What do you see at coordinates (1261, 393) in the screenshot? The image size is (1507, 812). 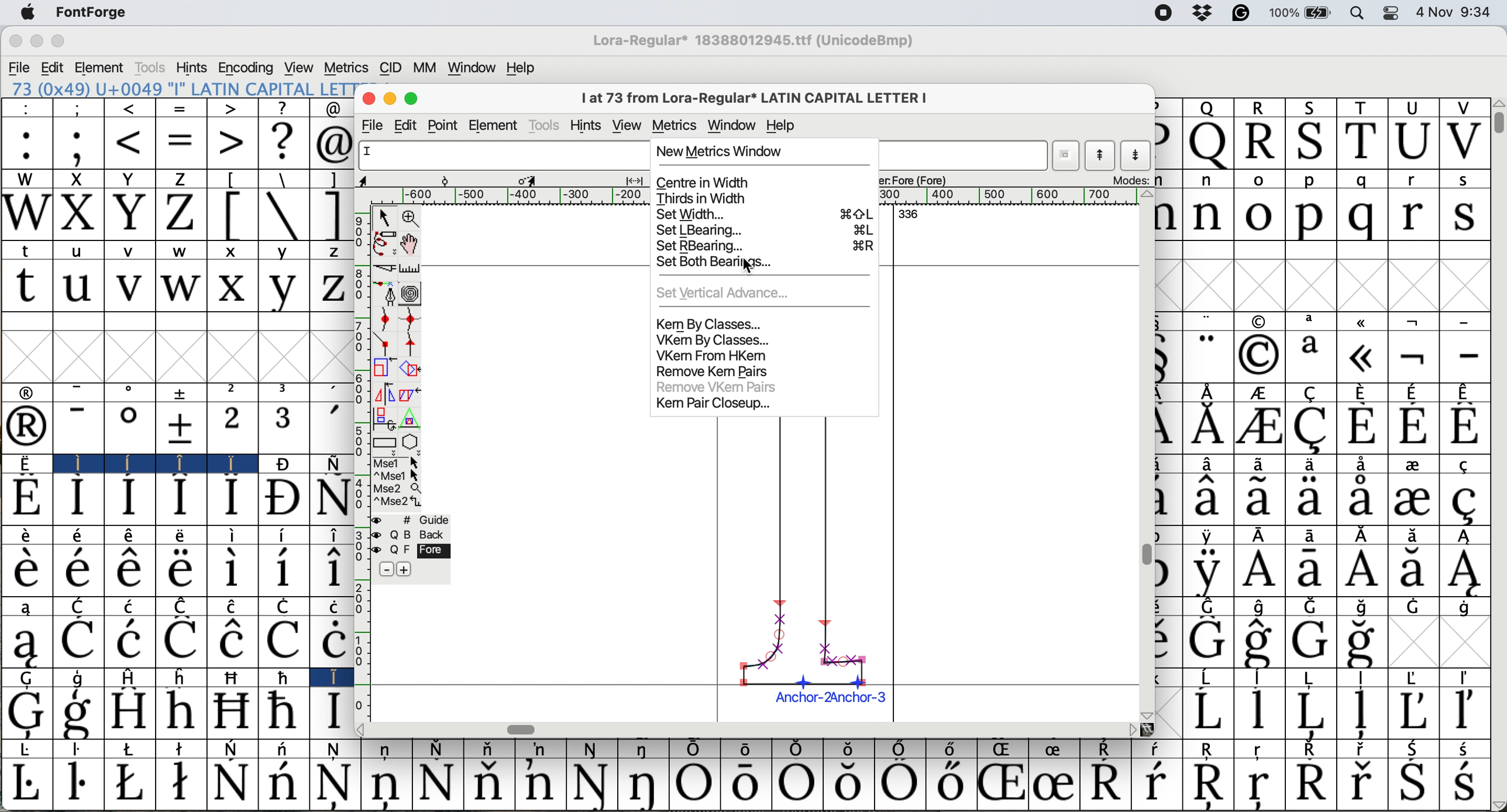 I see `Symbol` at bounding box center [1261, 393].